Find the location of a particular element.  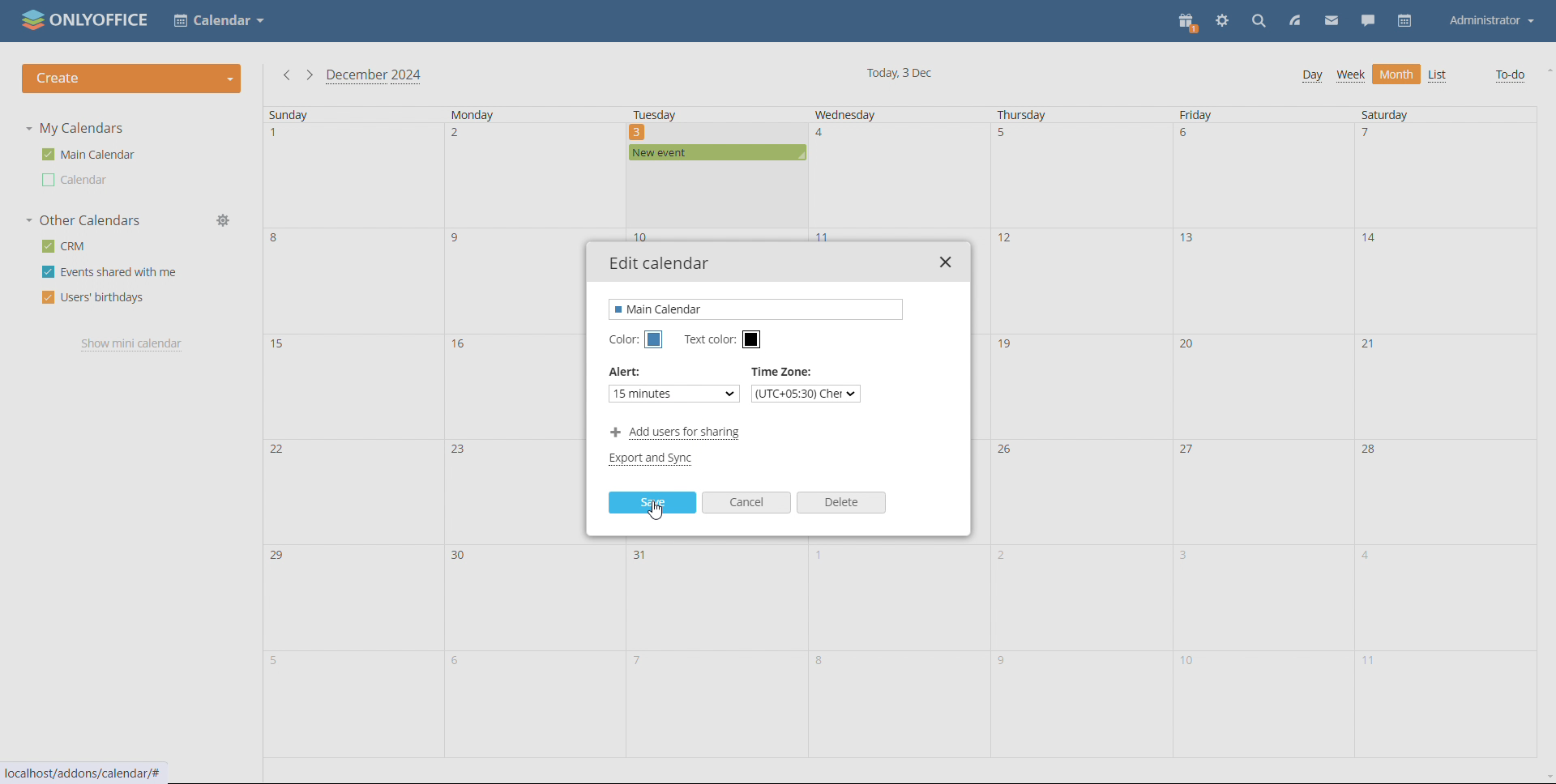

previous month is located at coordinates (284, 75).